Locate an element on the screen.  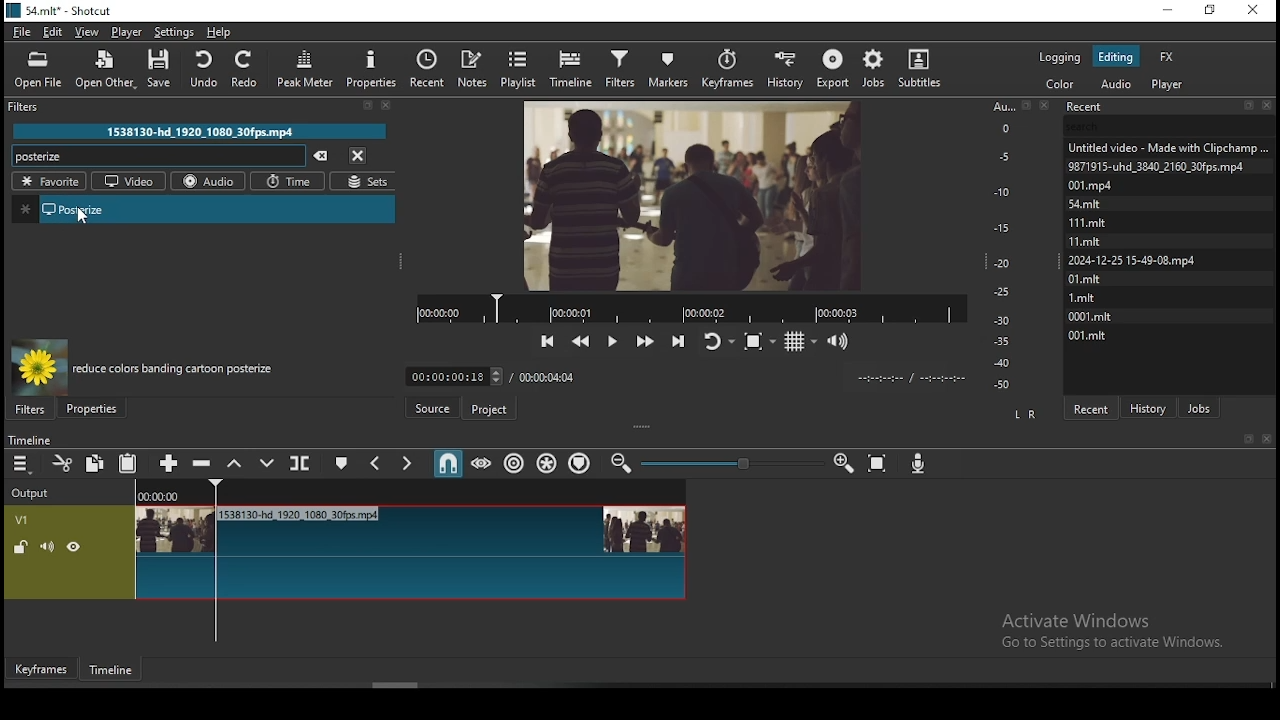
reduce colors banding cartoon posterize is located at coordinates (175, 368).